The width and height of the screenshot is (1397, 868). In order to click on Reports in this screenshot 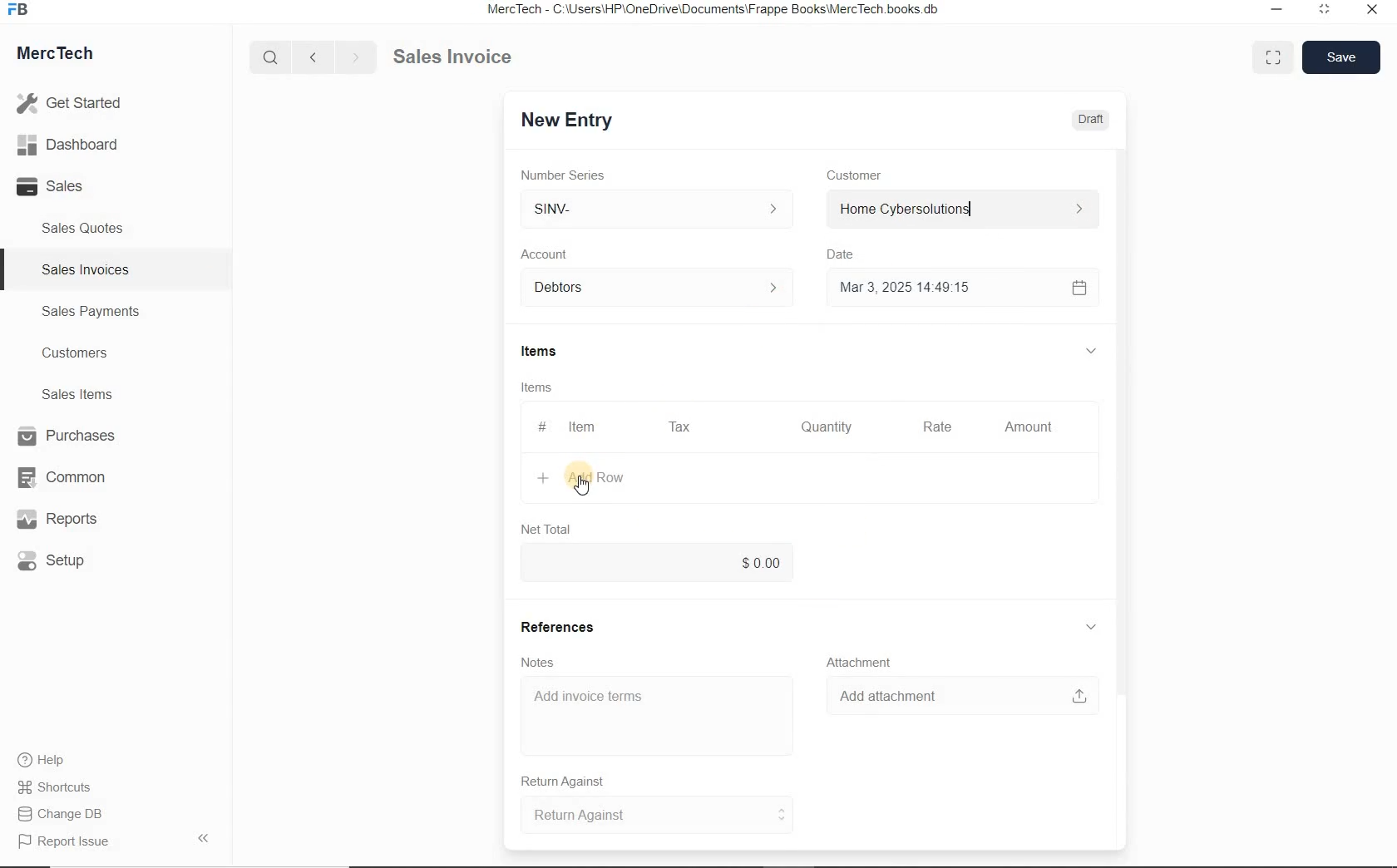, I will do `click(70, 520)`.